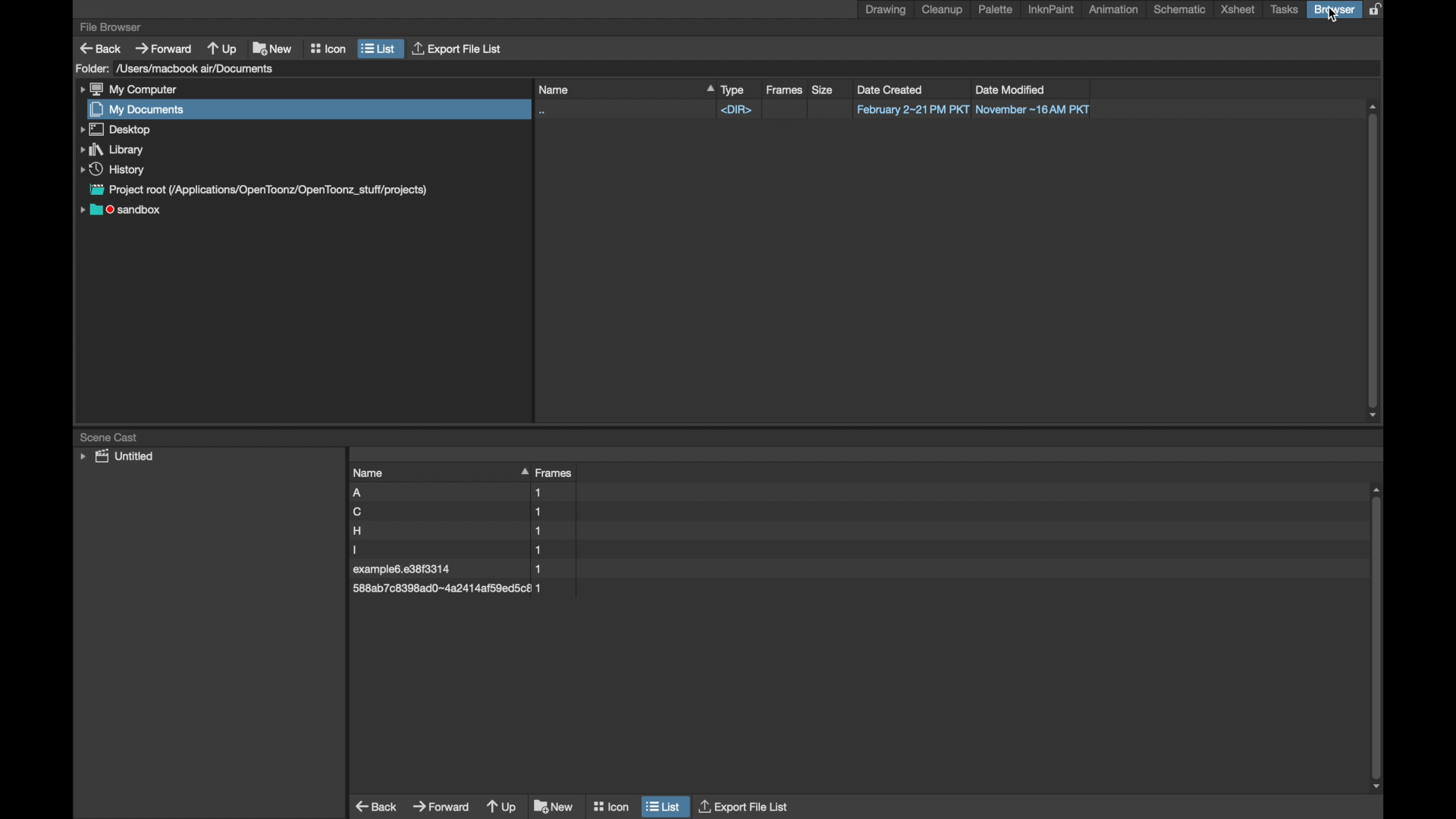  What do you see at coordinates (441, 807) in the screenshot?
I see `forward` at bounding box center [441, 807].